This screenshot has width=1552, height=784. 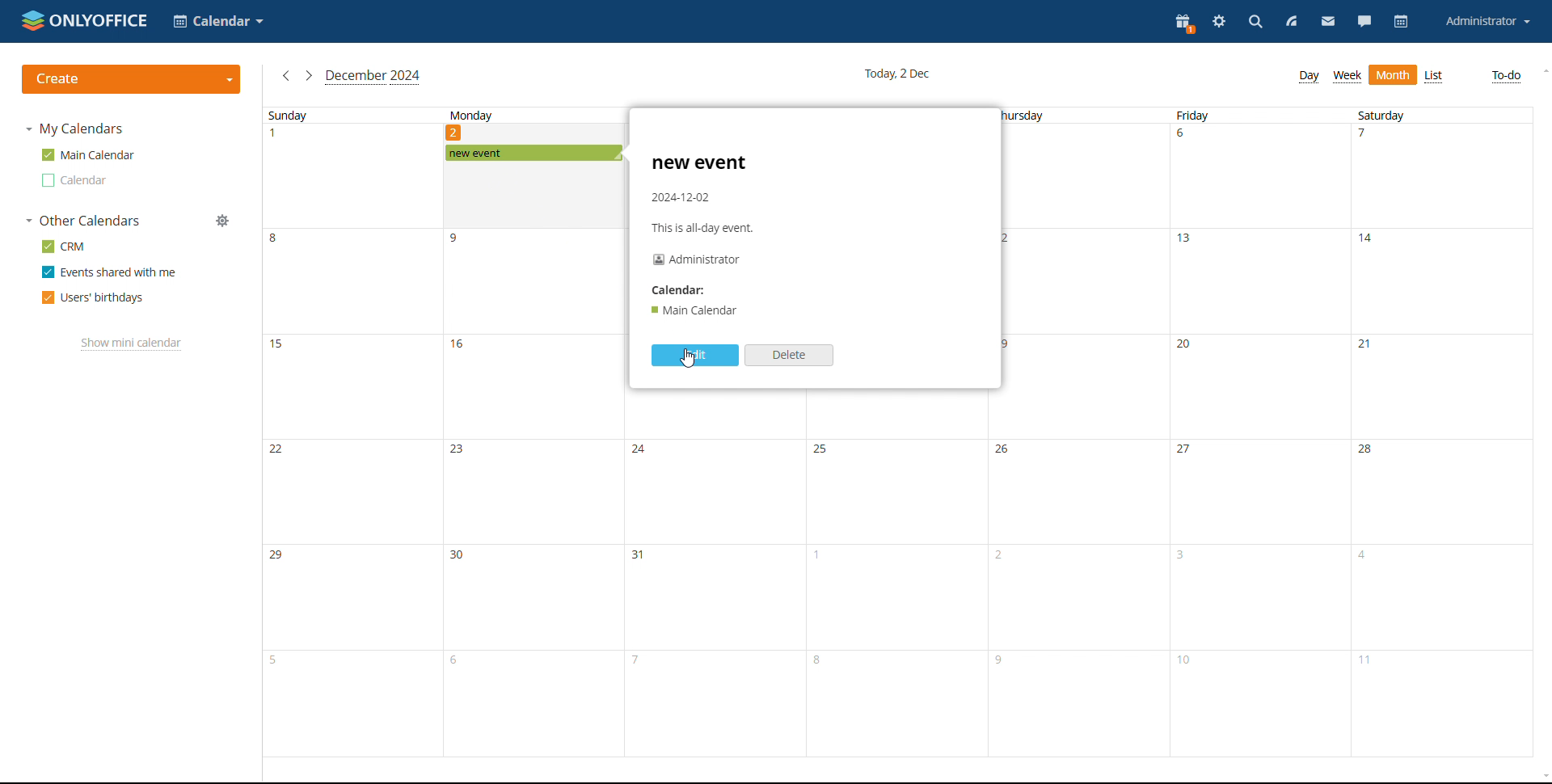 I want to click on create, so click(x=131, y=80).